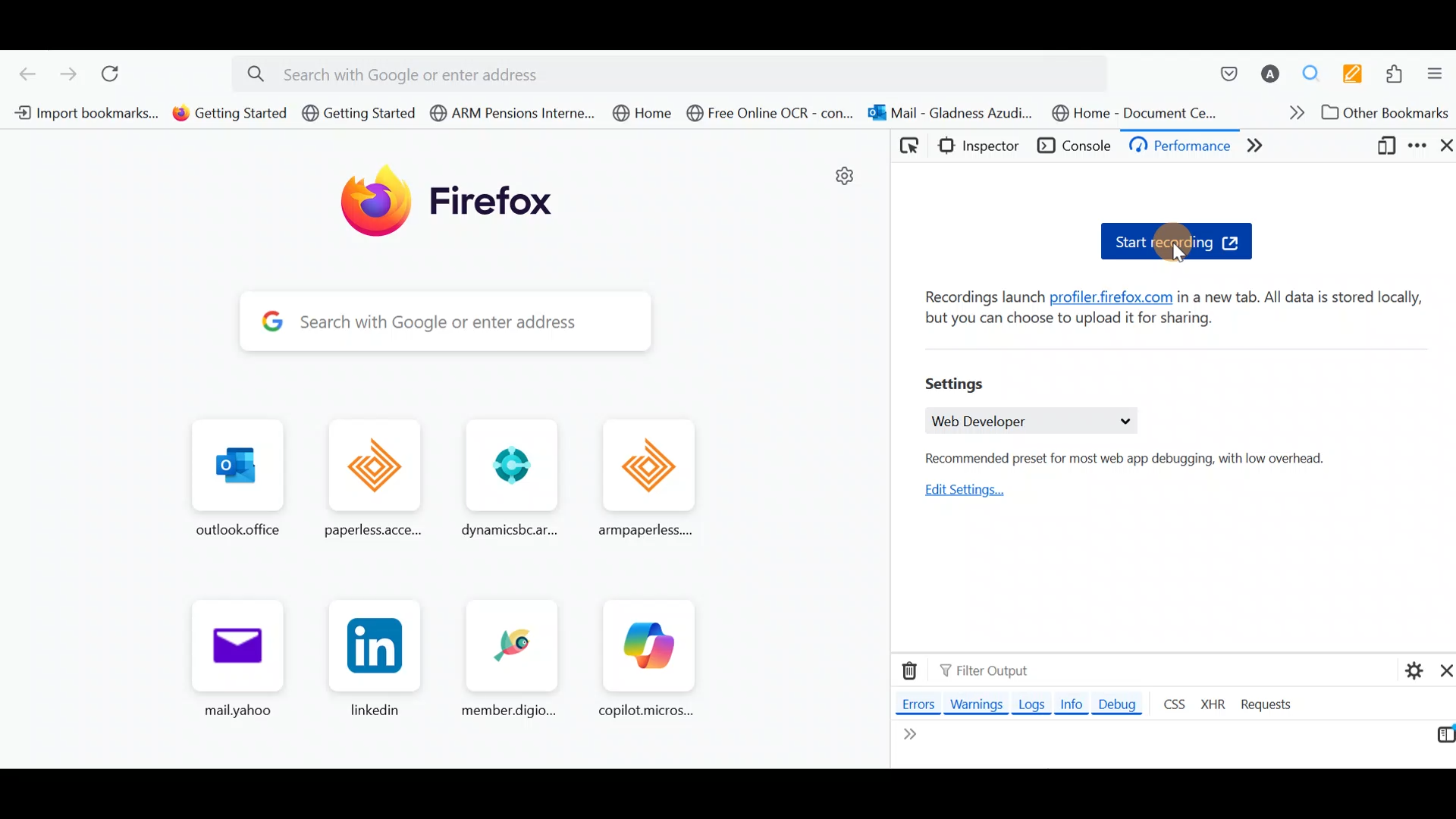 The image size is (1456, 819). What do you see at coordinates (1386, 115) in the screenshot?
I see `Other bookmarks` at bounding box center [1386, 115].